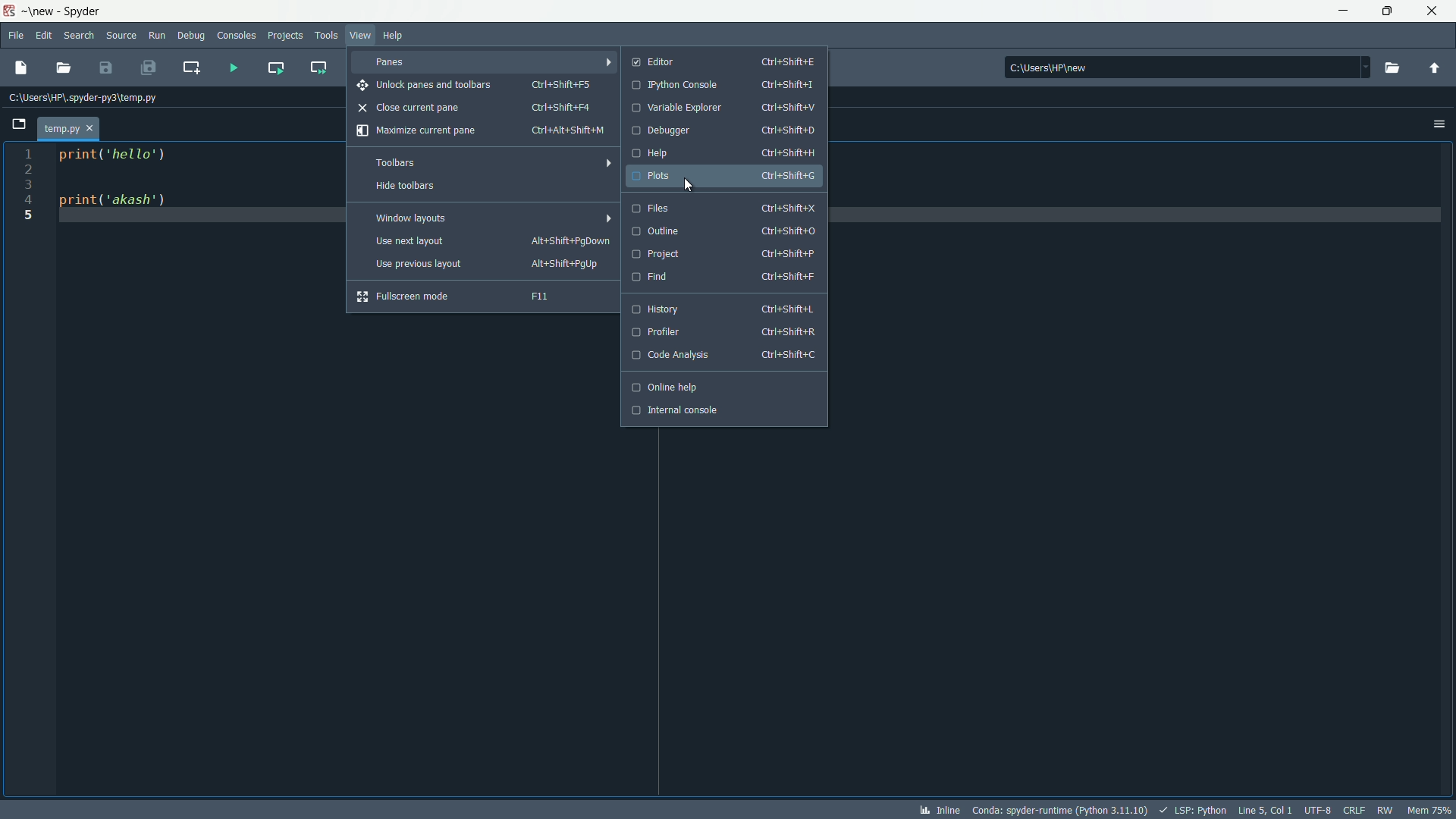  What do you see at coordinates (65, 69) in the screenshot?
I see `open file` at bounding box center [65, 69].